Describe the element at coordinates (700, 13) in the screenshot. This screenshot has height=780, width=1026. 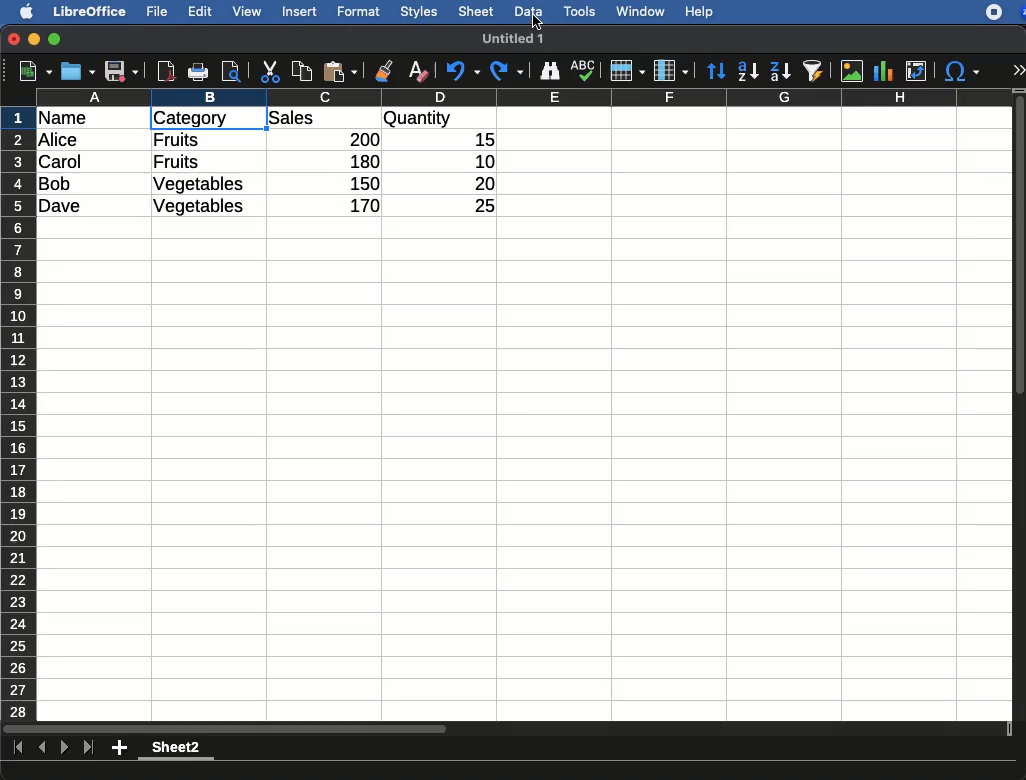
I see `help` at that location.